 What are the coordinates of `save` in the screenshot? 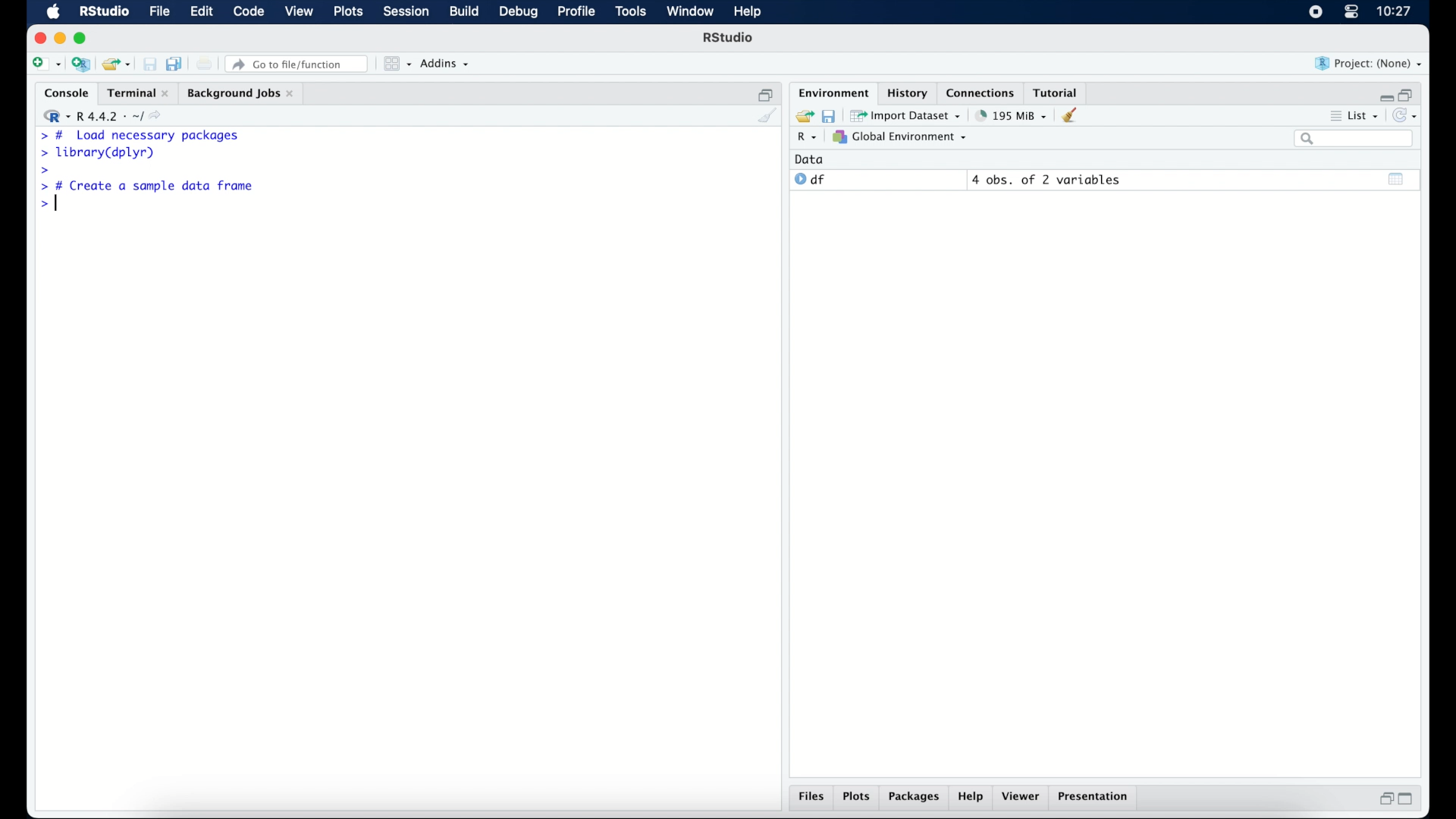 It's located at (149, 64).